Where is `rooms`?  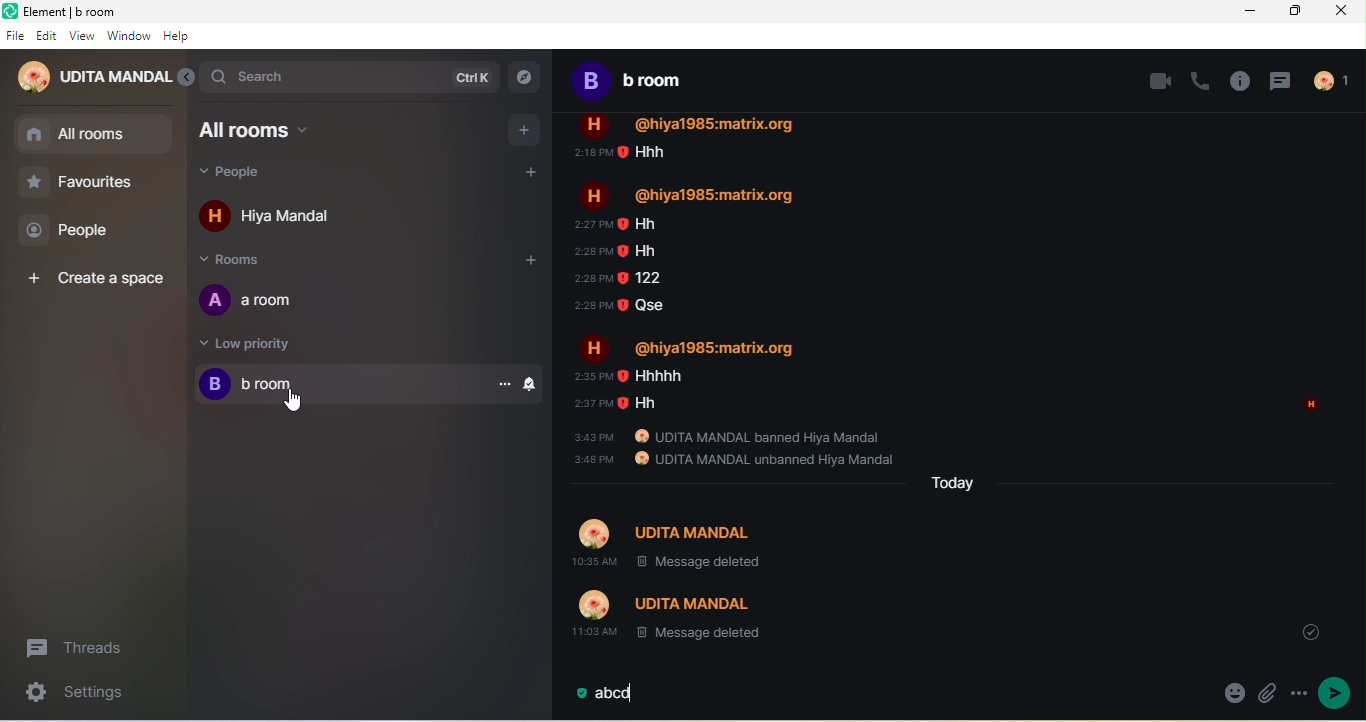
rooms is located at coordinates (242, 262).